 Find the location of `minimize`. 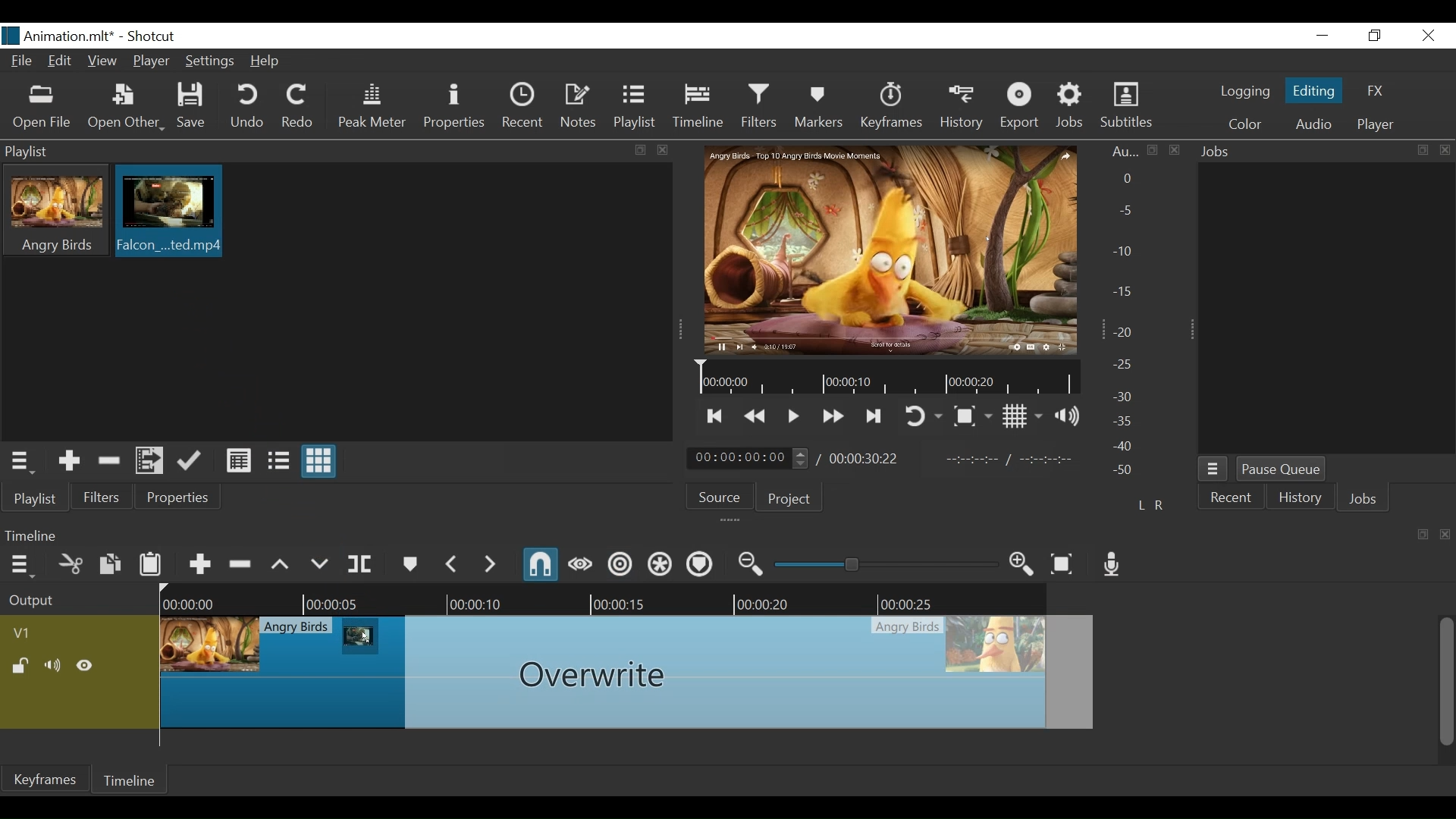

minimize is located at coordinates (1325, 36).